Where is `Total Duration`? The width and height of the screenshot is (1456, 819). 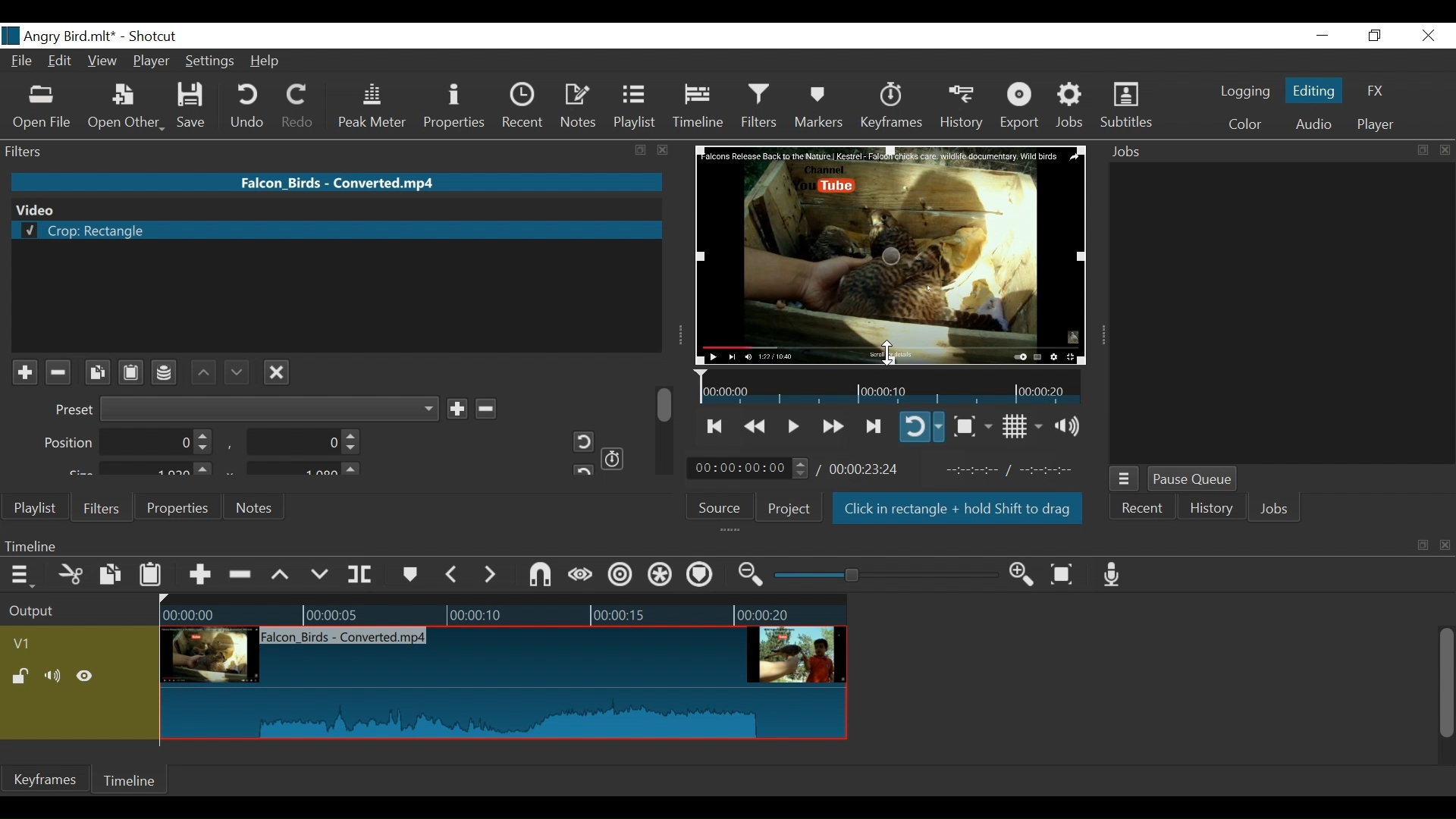 Total Duration is located at coordinates (866, 469).